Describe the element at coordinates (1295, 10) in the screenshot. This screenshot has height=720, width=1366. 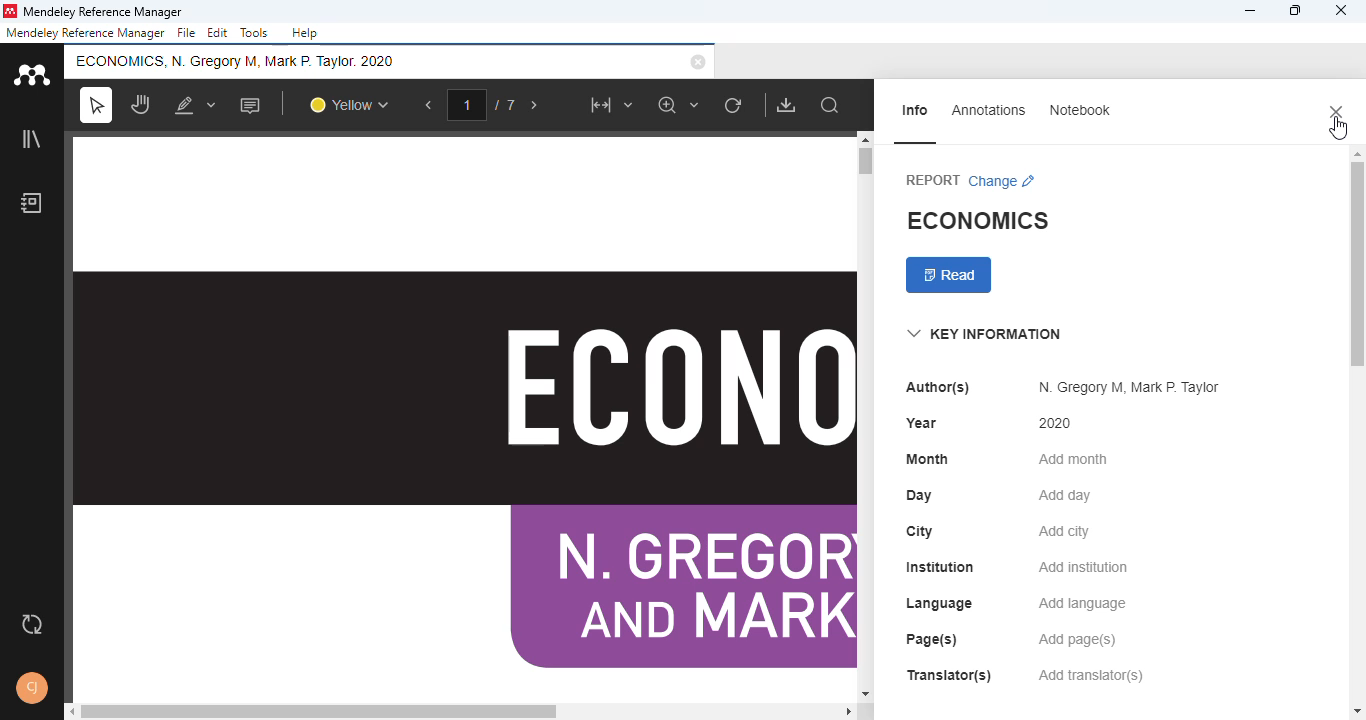
I see `maximize` at that location.